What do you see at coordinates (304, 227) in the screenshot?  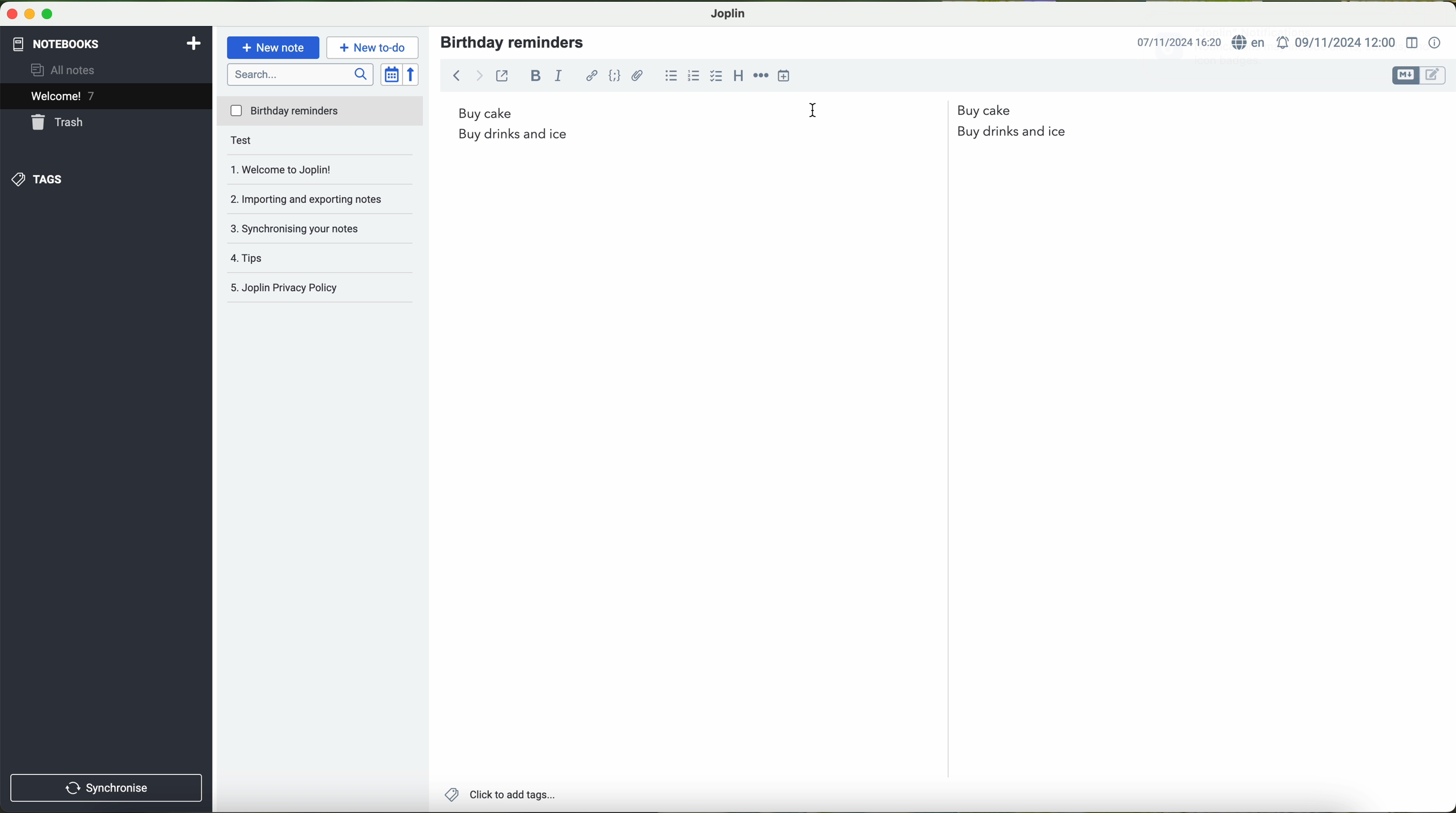 I see `synchronising your notes` at bounding box center [304, 227].